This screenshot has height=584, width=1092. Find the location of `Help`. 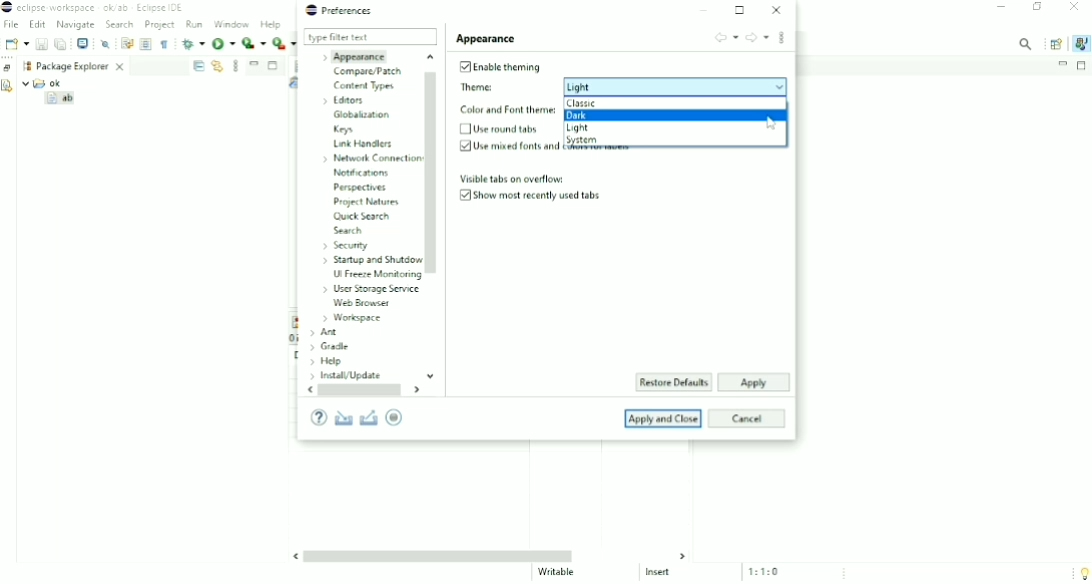

Help is located at coordinates (272, 25).